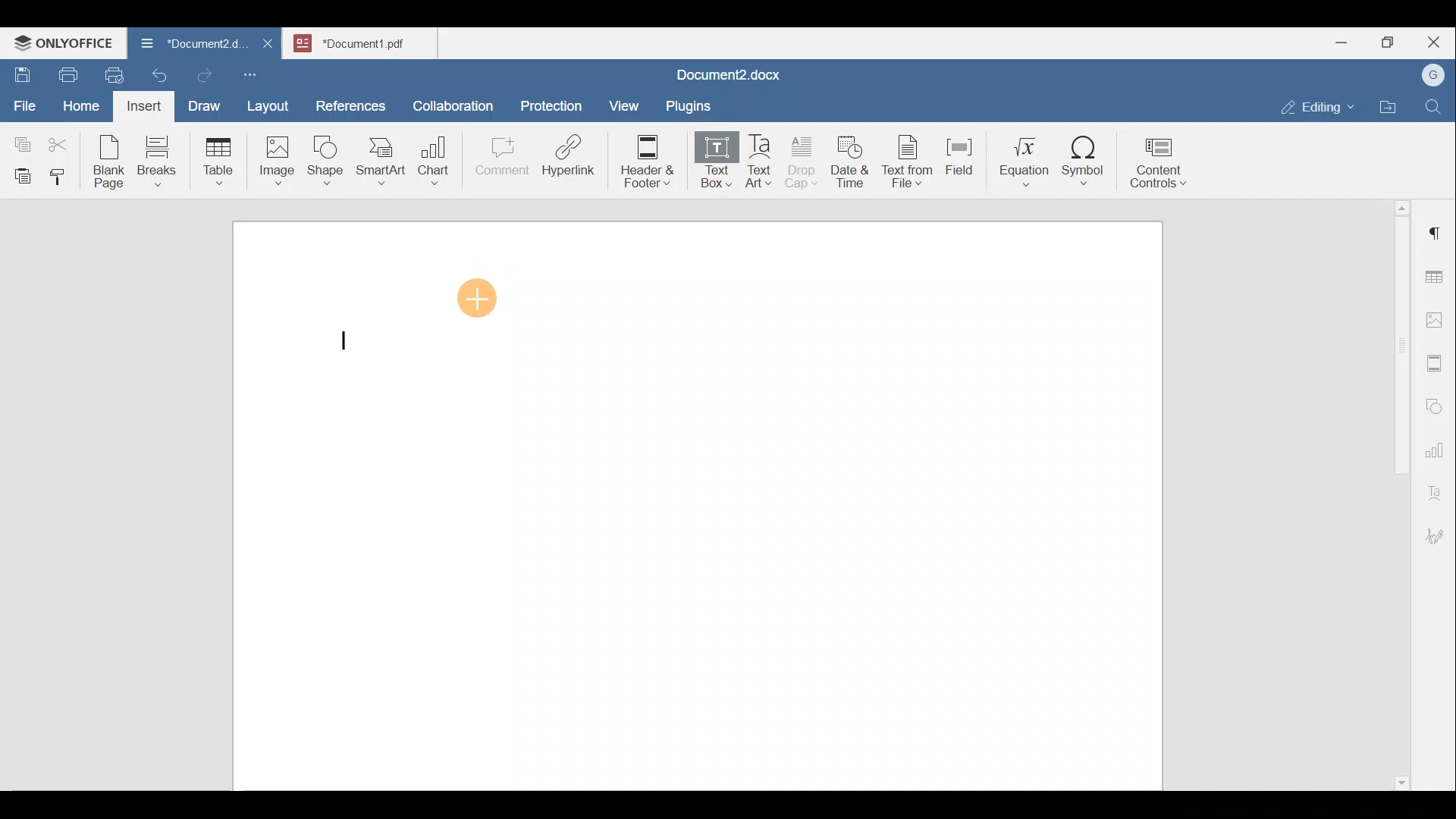 The width and height of the screenshot is (1456, 819). I want to click on References, so click(350, 104).